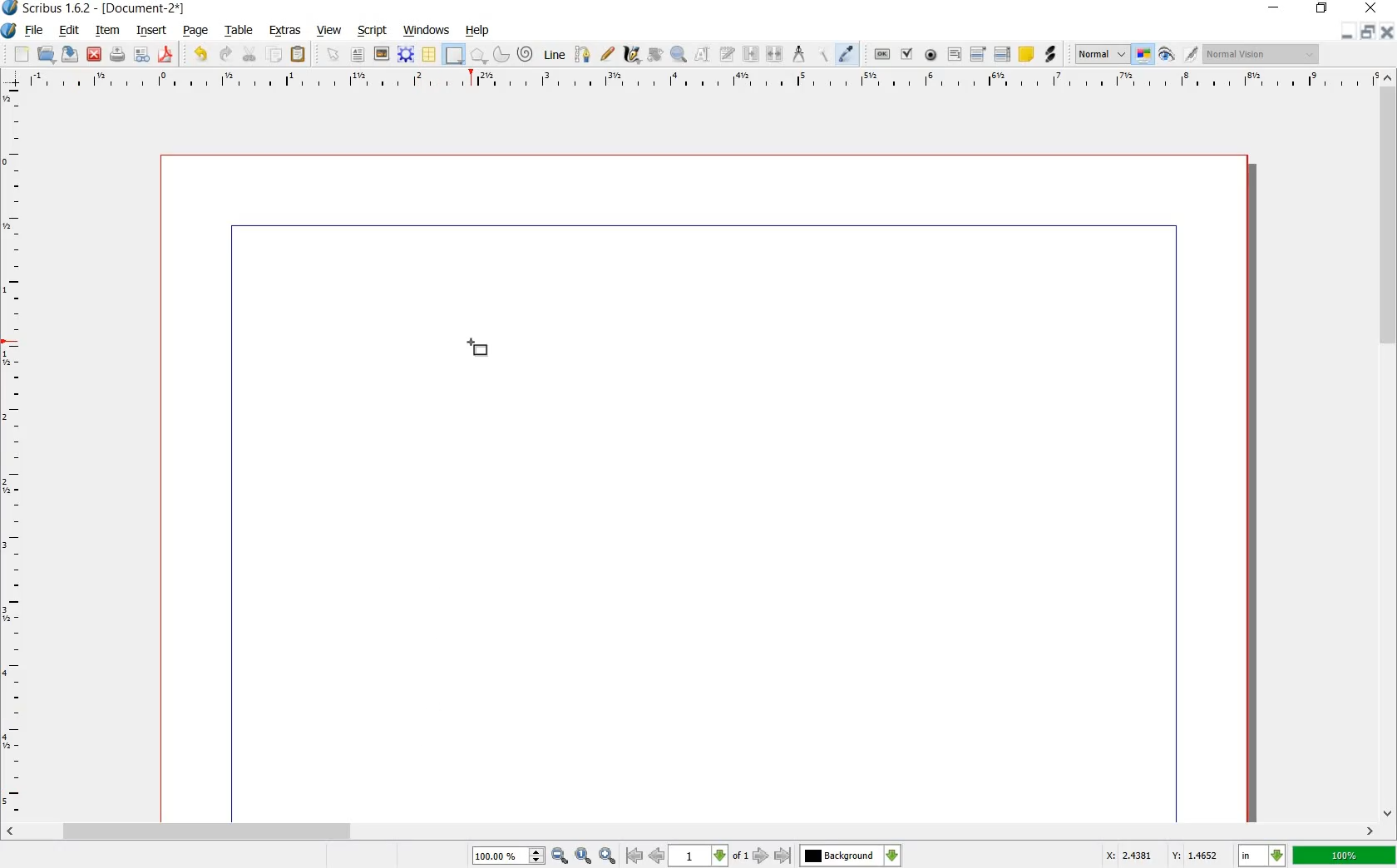  I want to click on MINIMIZE, so click(1350, 32).